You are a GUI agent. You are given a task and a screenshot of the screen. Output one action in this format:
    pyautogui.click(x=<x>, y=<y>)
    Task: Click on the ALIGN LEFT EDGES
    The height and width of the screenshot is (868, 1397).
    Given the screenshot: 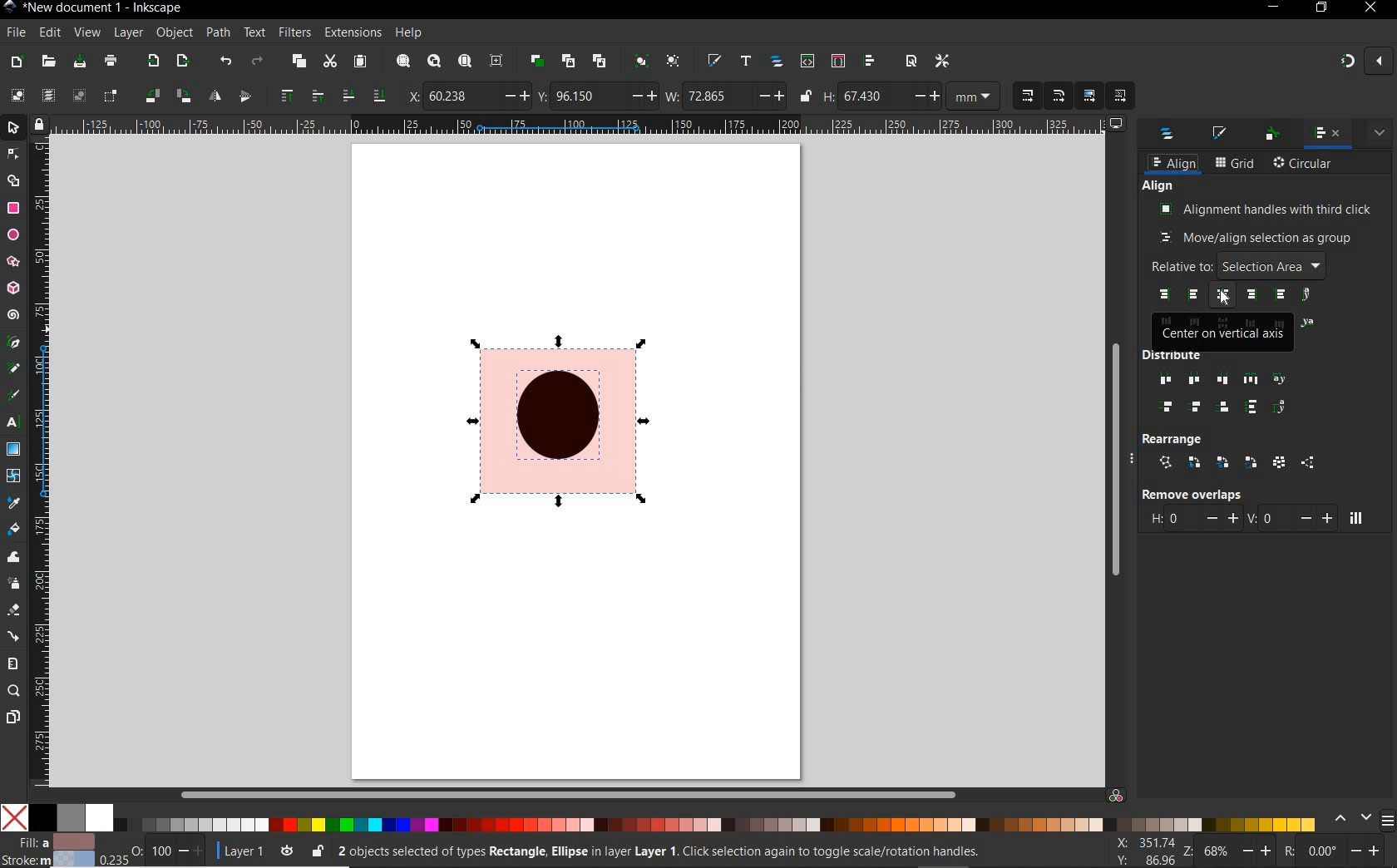 What is the action you would take?
    pyautogui.click(x=1195, y=295)
    